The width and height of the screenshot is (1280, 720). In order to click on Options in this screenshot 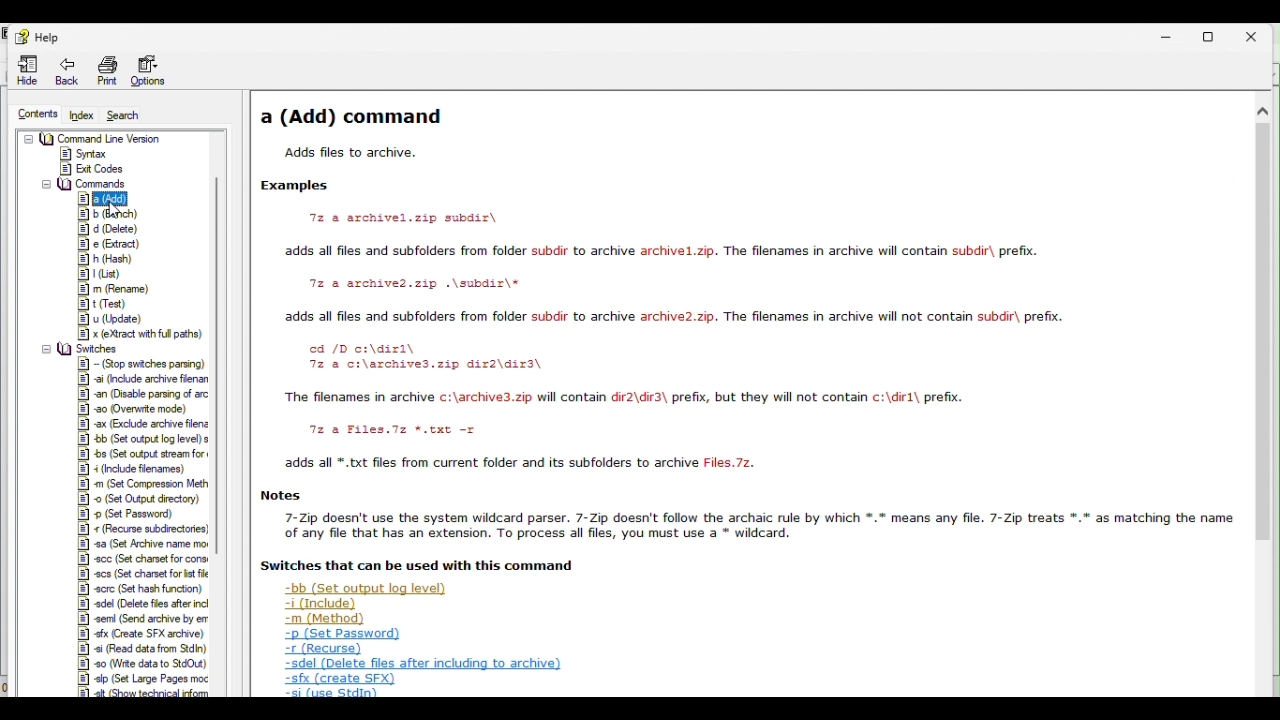, I will do `click(147, 68)`.